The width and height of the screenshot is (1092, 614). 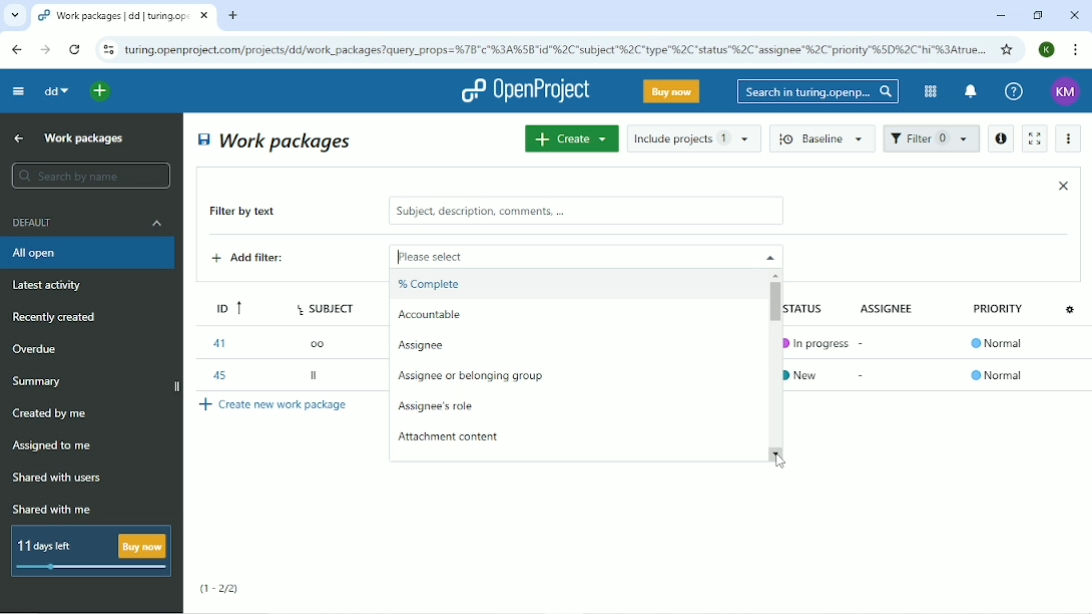 I want to click on Buy now, so click(x=672, y=91).